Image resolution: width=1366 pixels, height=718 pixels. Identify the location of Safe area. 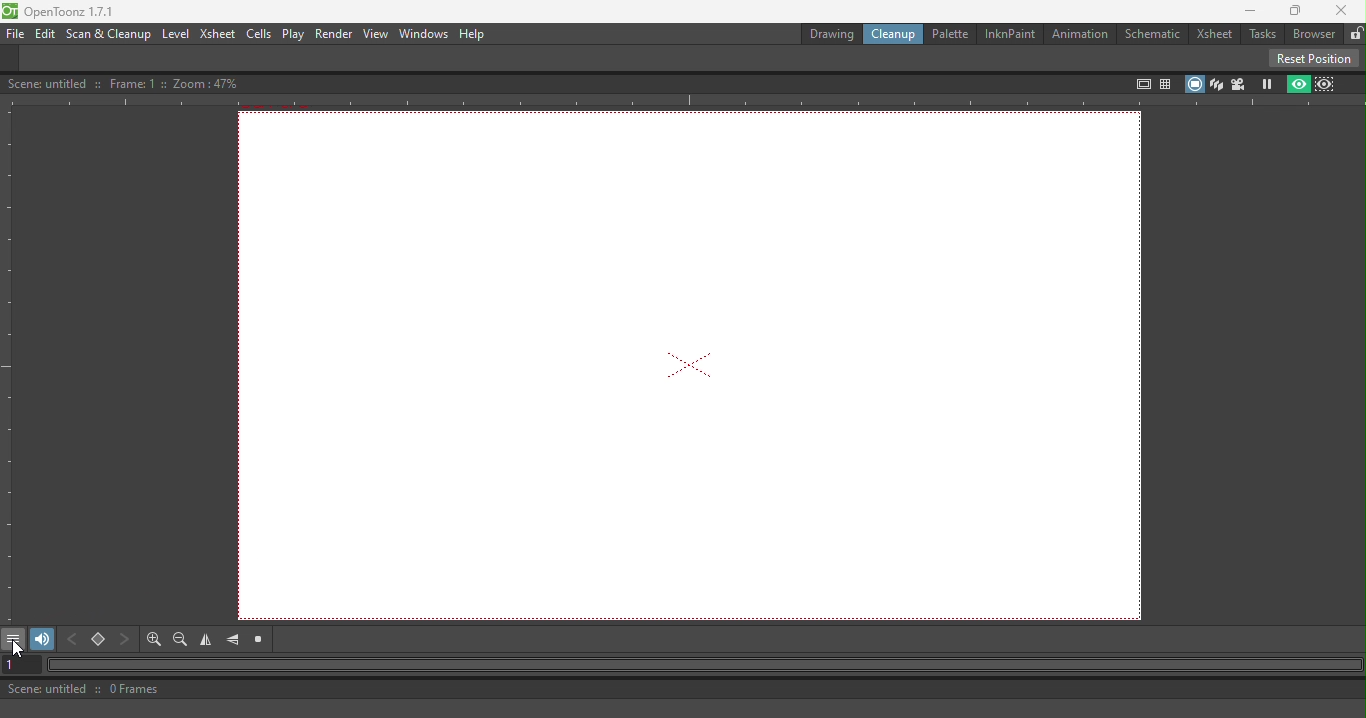
(1141, 84).